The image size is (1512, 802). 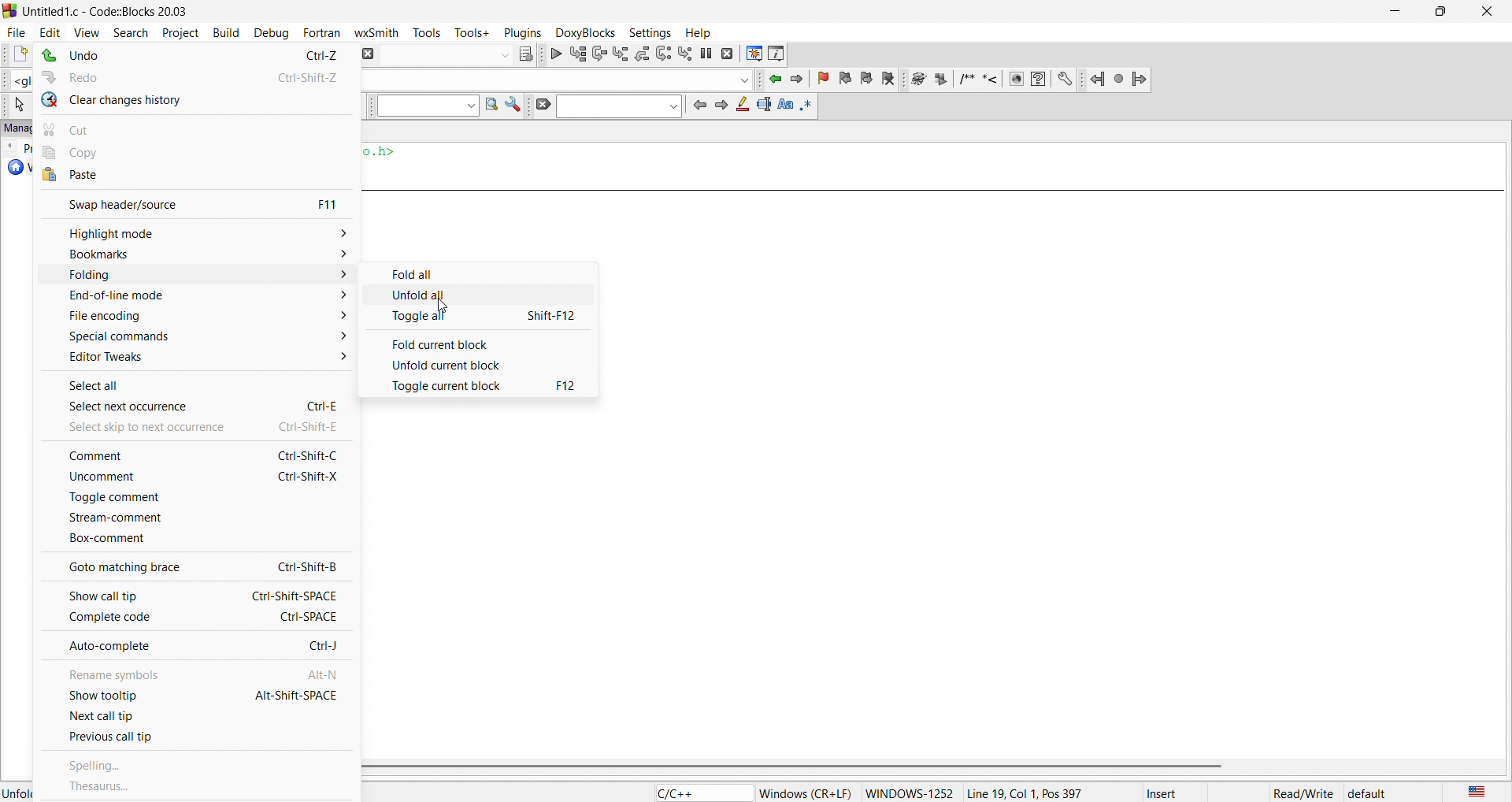 I want to click on jump backward, so click(x=776, y=79).